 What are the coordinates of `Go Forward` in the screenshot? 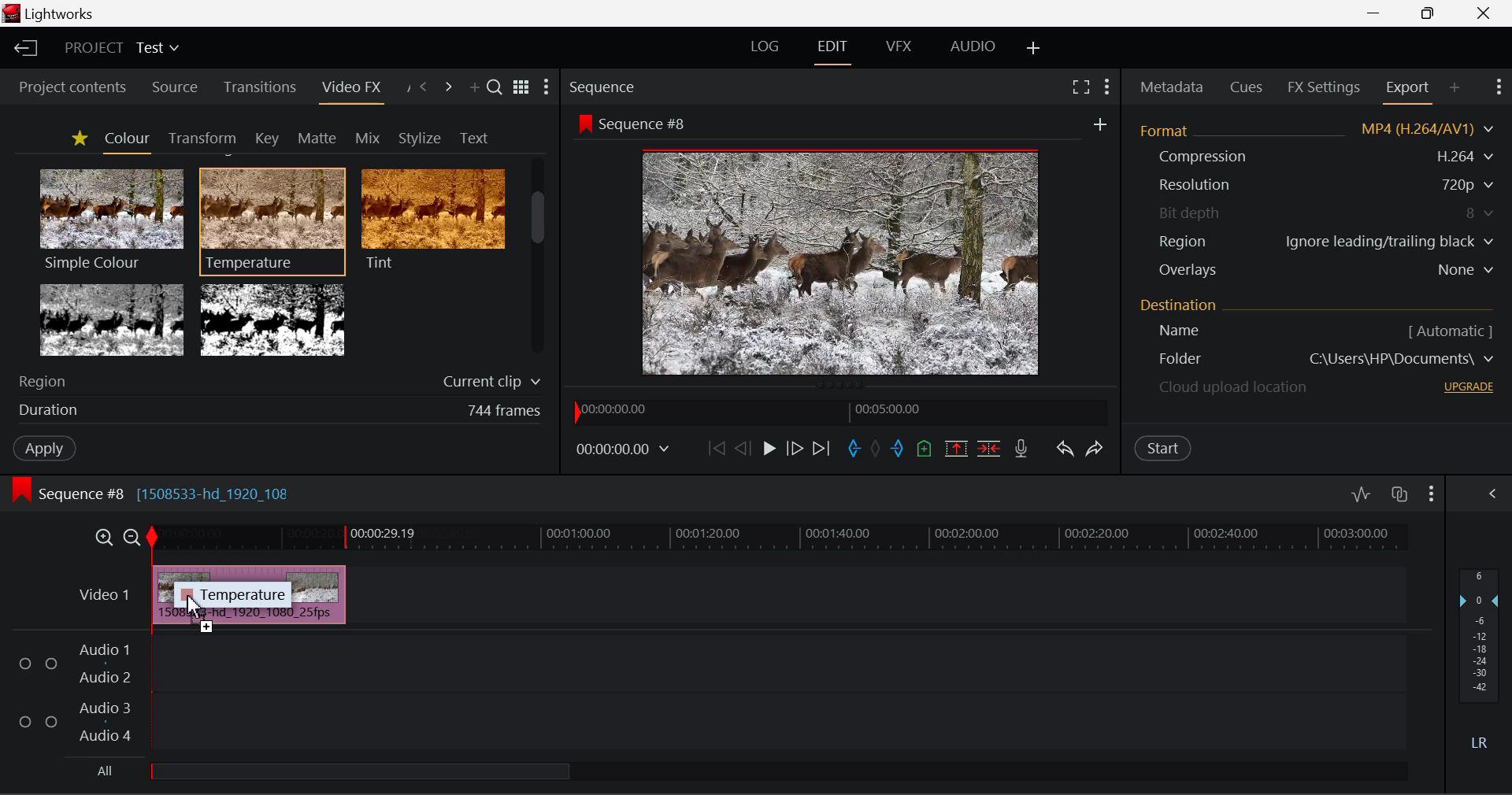 It's located at (794, 449).